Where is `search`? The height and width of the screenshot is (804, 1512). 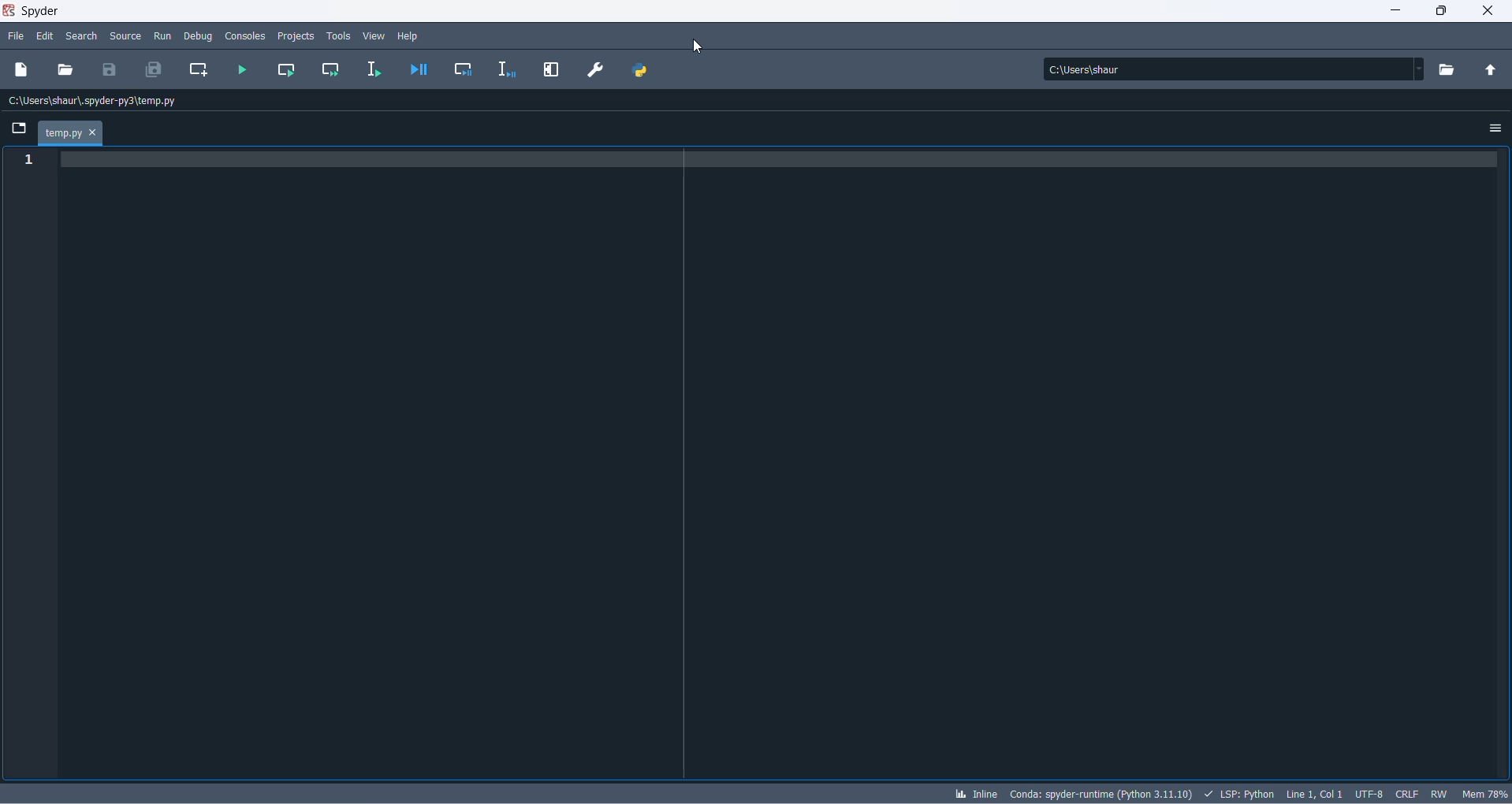
search is located at coordinates (86, 37).